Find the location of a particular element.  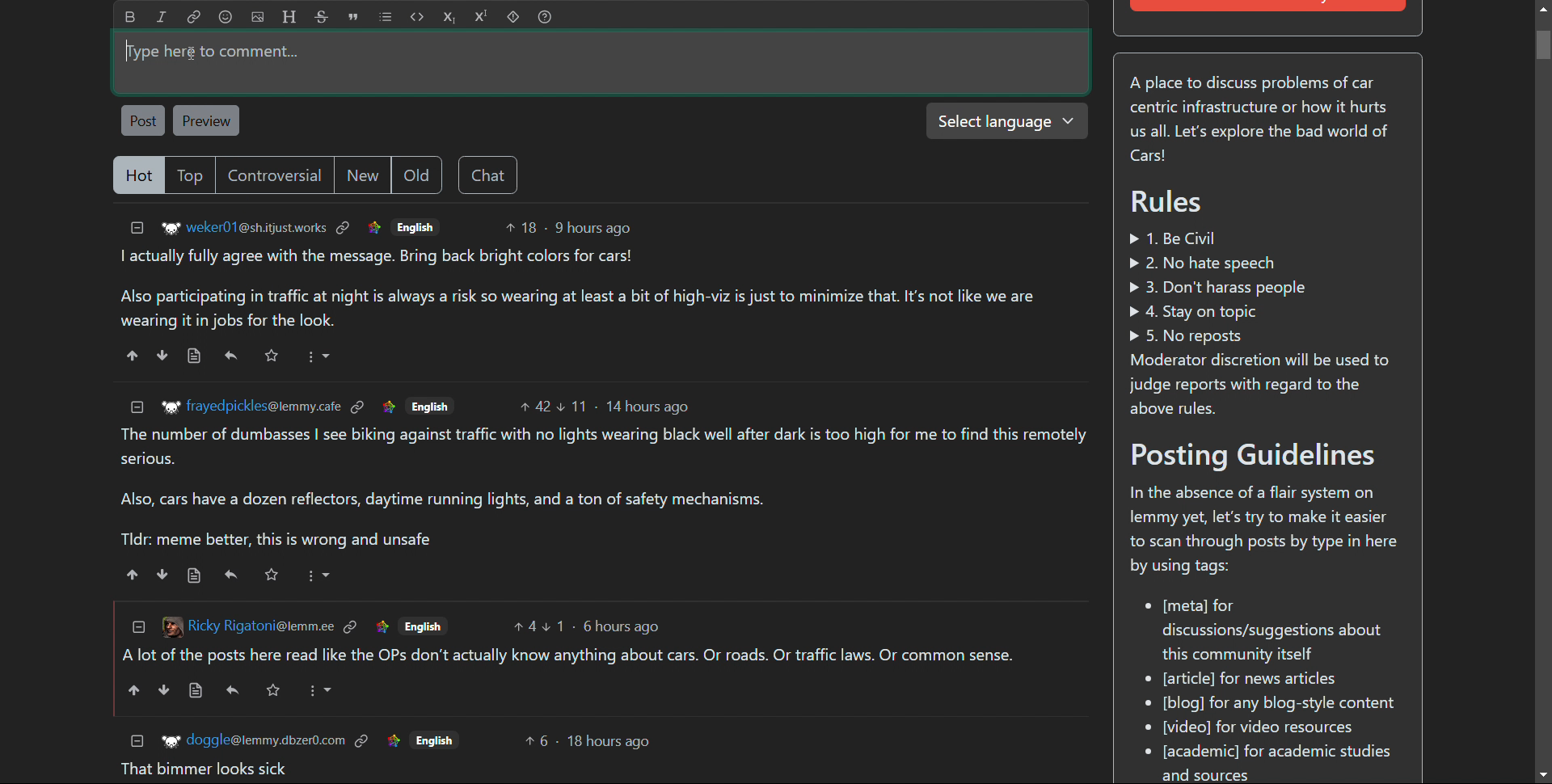

downvote is located at coordinates (163, 690).